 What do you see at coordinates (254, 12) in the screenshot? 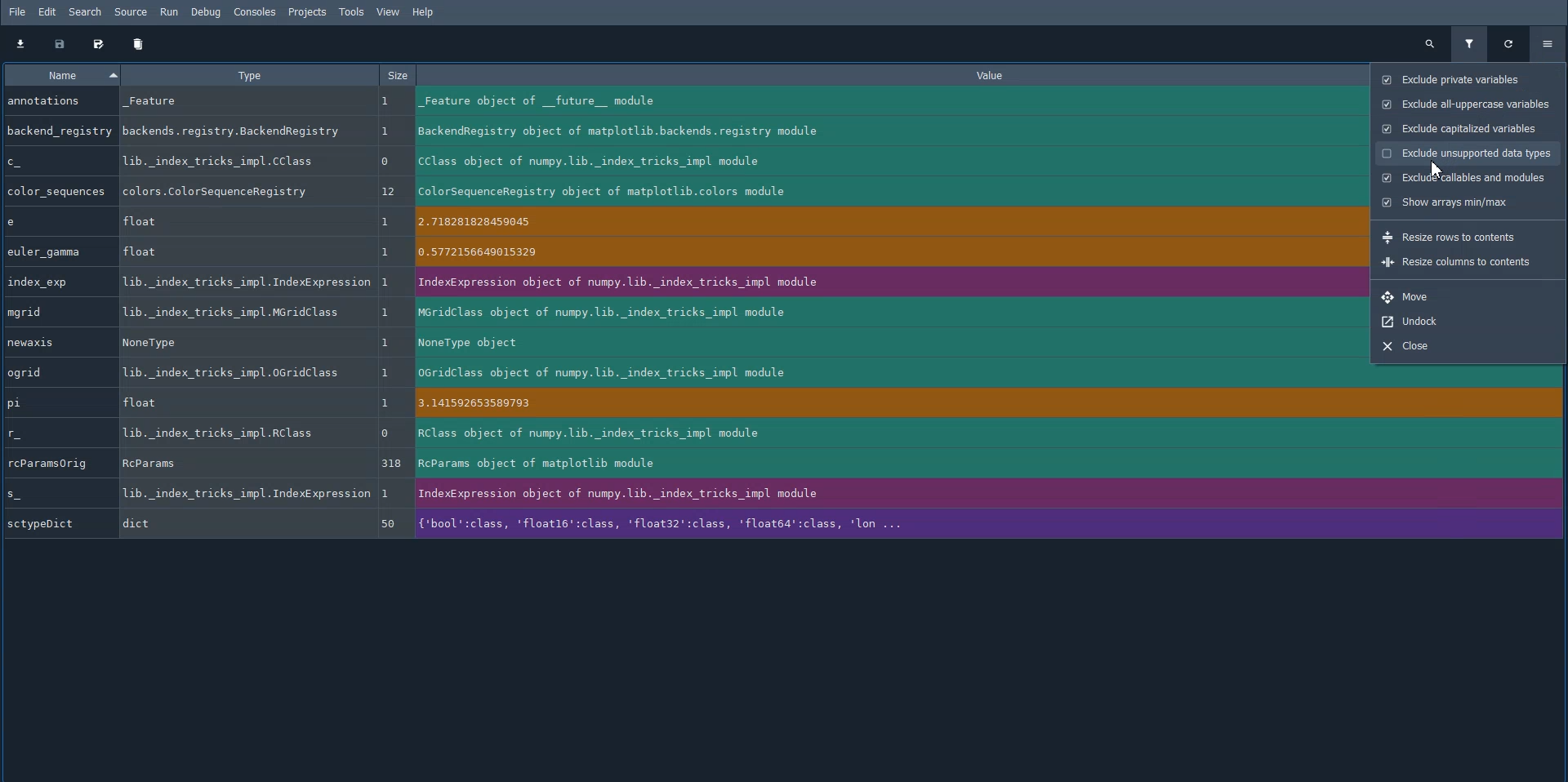
I see `Consoles` at bounding box center [254, 12].